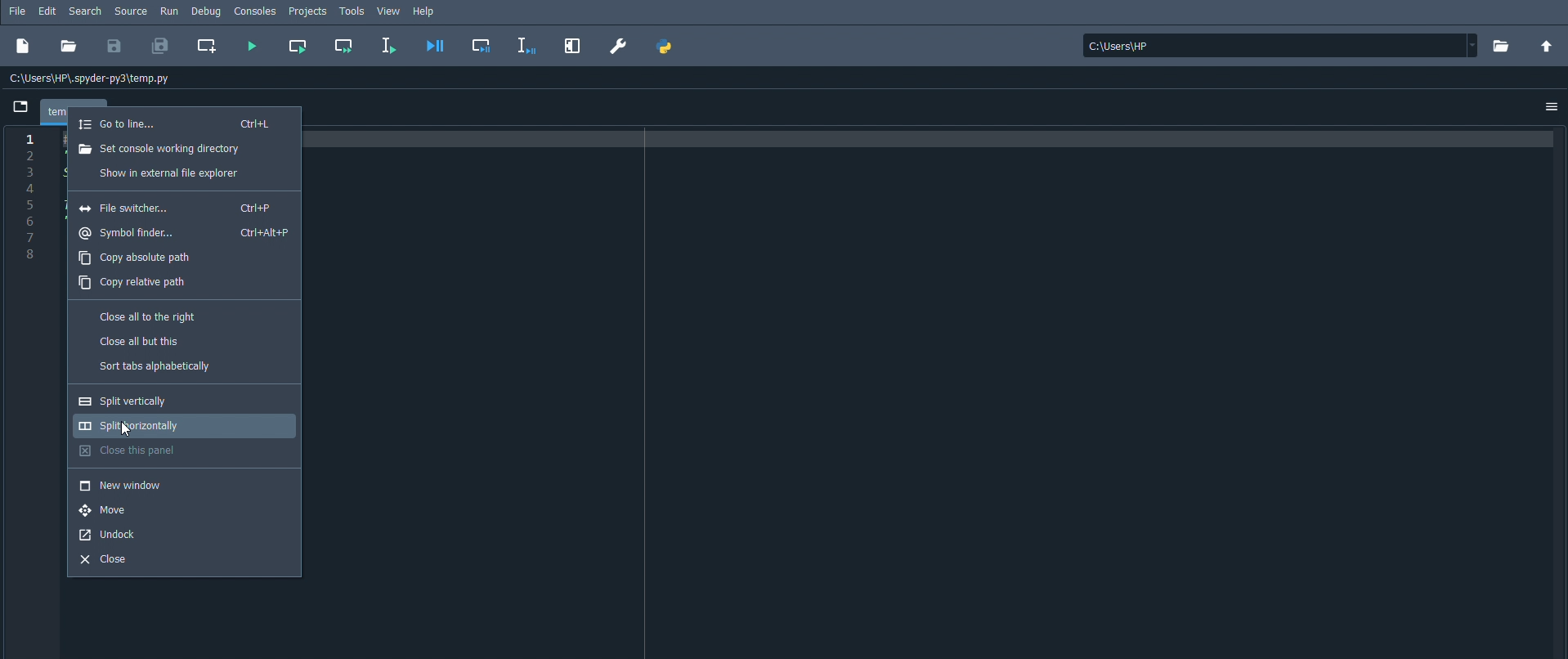  Describe the element at coordinates (206, 12) in the screenshot. I see `Debug` at that location.